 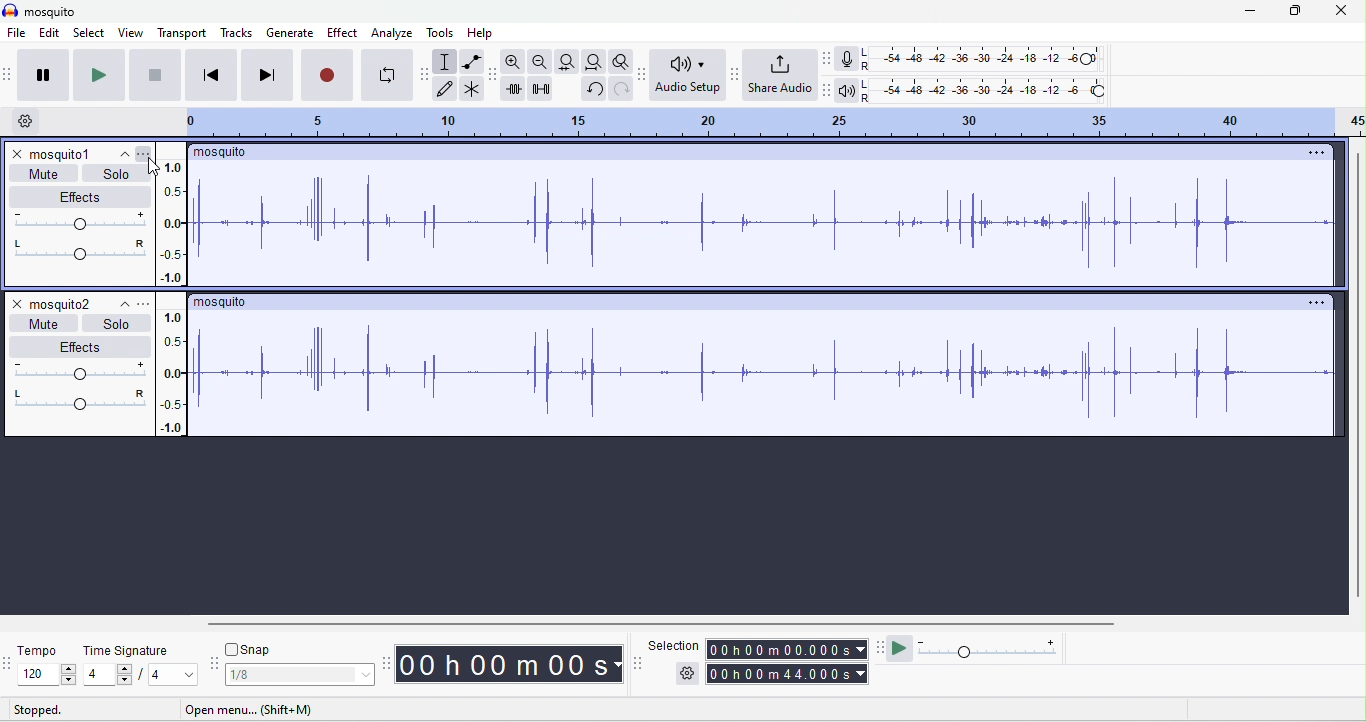 What do you see at coordinates (127, 650) in the screenshot?
I see `time signature` at bounding box center [127, 650].